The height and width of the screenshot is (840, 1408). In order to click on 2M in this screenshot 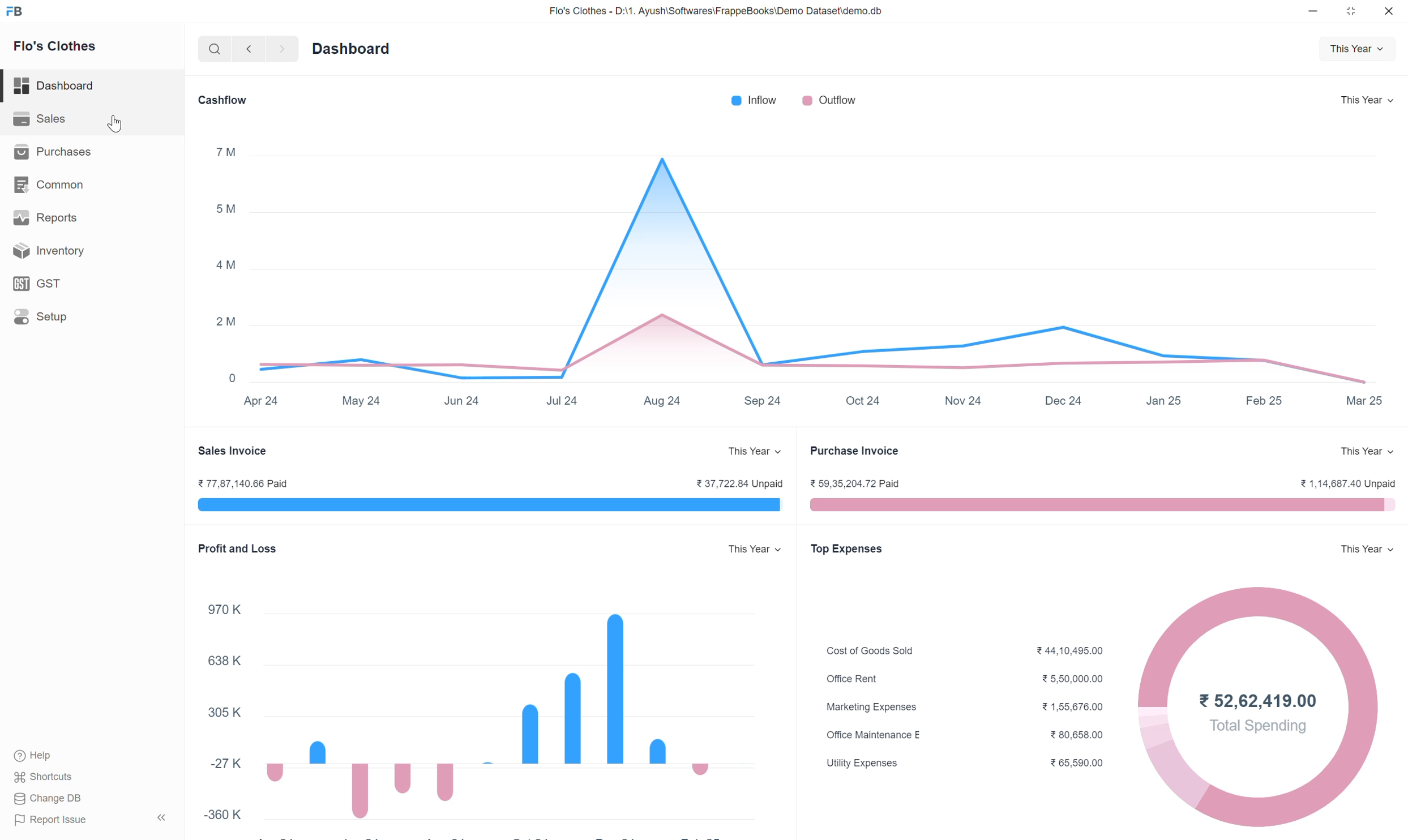, I will do `click(221, 320)`.